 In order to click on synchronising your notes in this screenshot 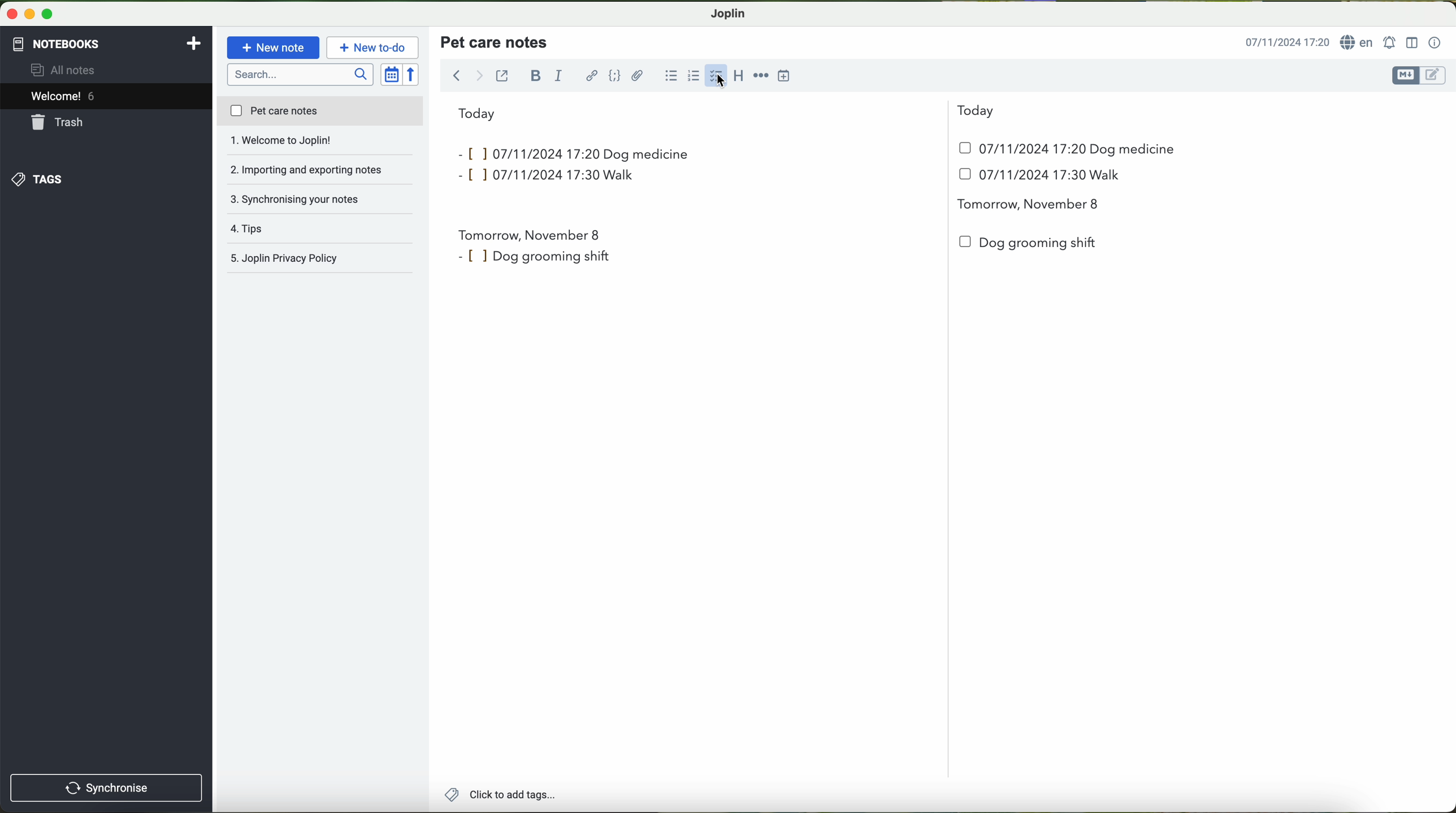, I will do `click(321, 171)`.